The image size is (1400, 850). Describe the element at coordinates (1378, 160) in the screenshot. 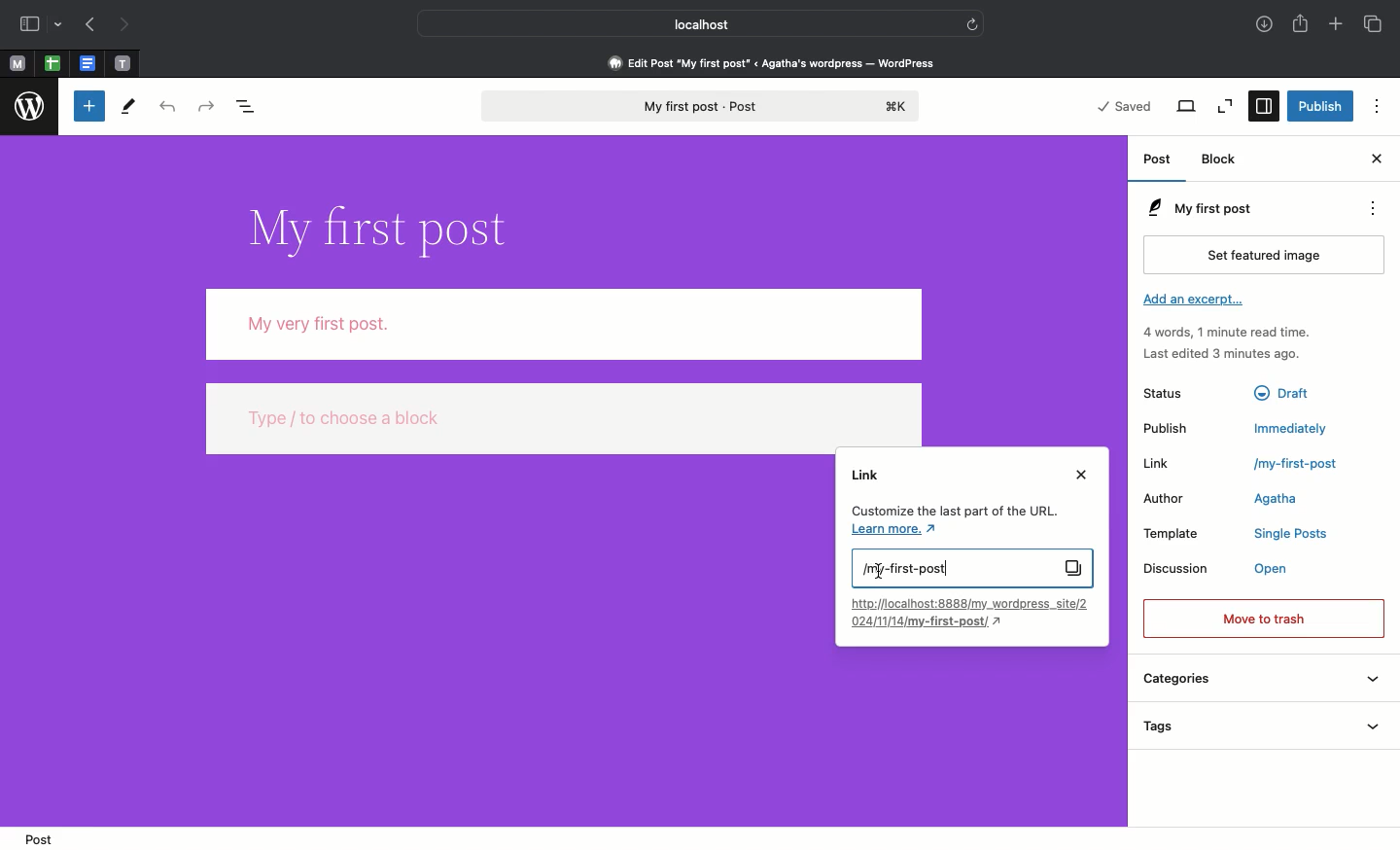

I see `Close` at that location.